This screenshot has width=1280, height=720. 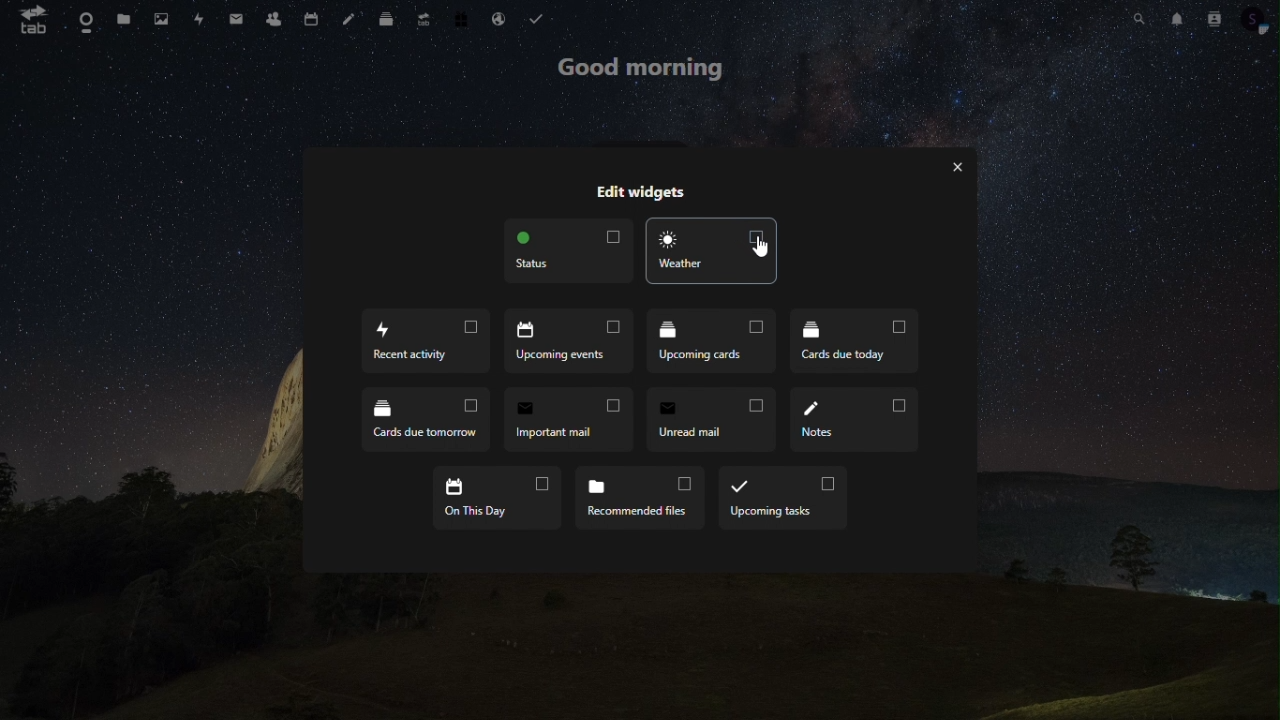 What do you see at coordinates (1210, 18) in the screenshot?
I see `contacts` at bounding box center [1210, 18].